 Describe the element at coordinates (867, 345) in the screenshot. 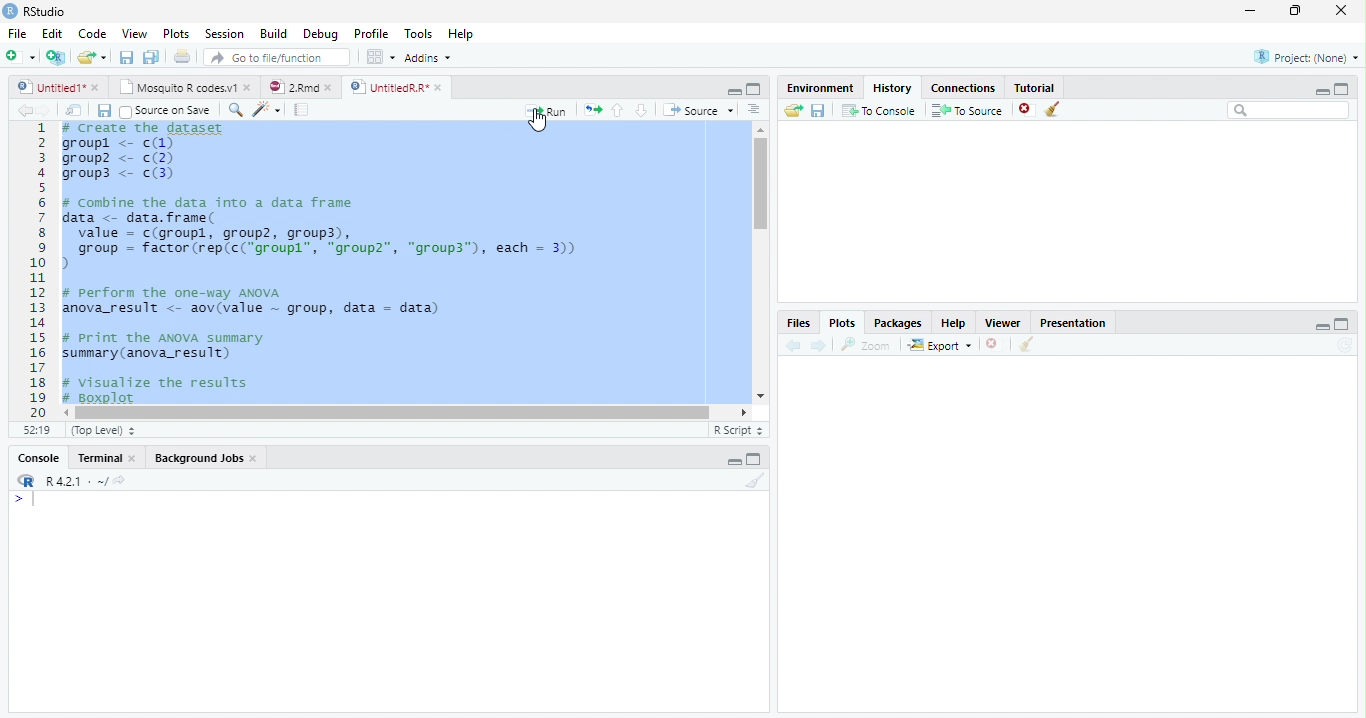

I see `Zoom` at that location.